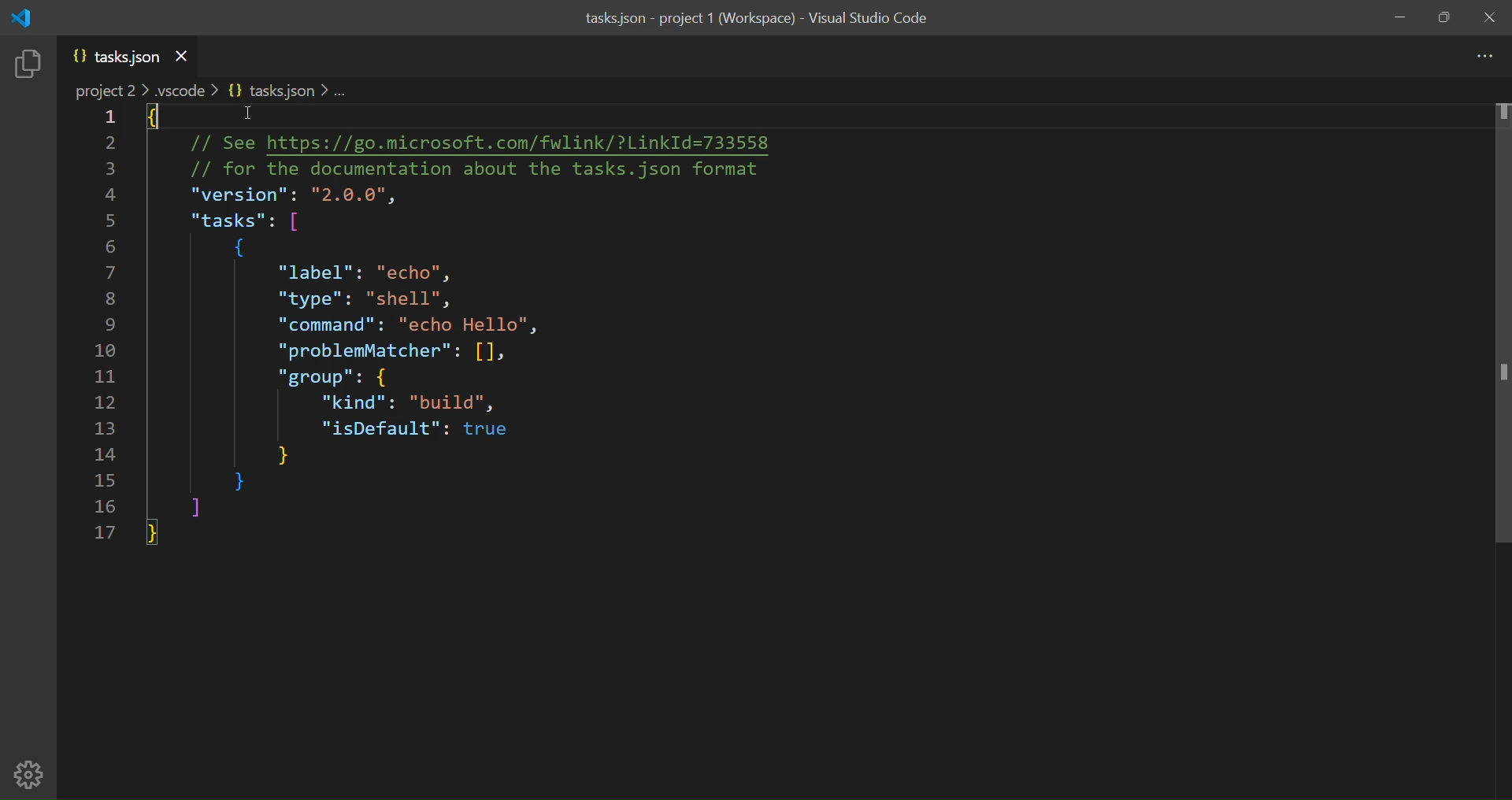  What do you see at coordinates (246, 117) in the screenshot?
I see `cursor` at bounding box center [246, 117].